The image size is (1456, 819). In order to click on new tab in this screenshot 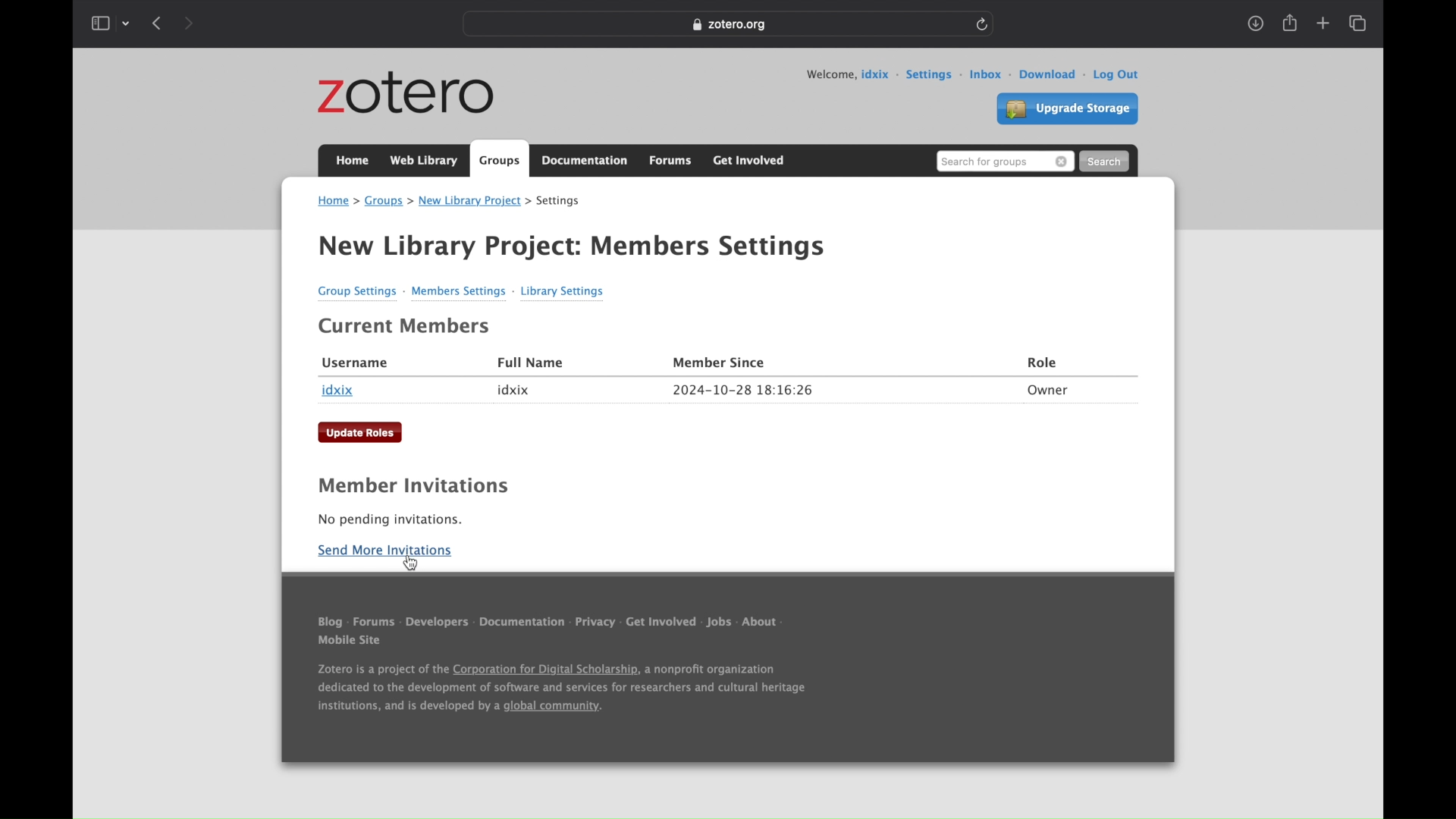, I will do `click(1323, 24)`.